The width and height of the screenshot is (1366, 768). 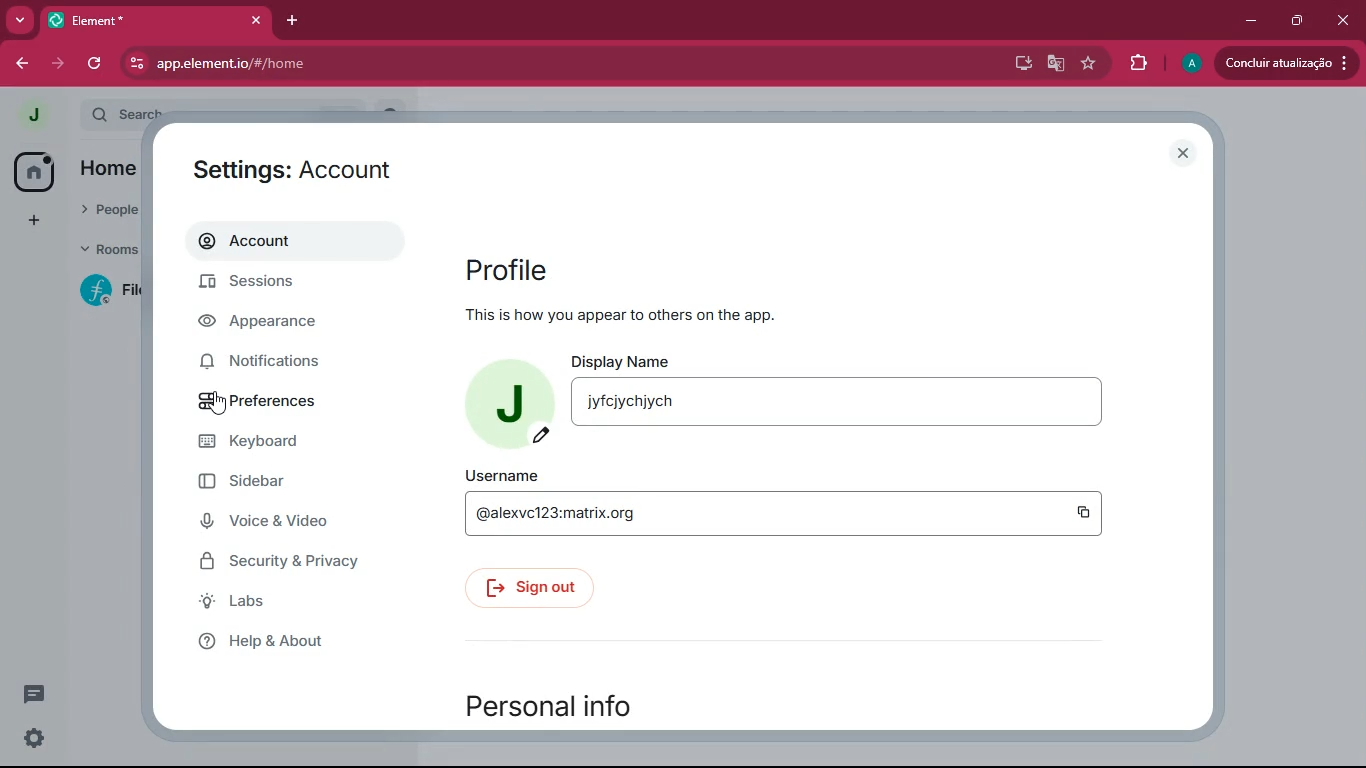 What do you see at coordinates (1087, 65) in the screenshot?
I see `favourite` at bounding box center [1087, 65].